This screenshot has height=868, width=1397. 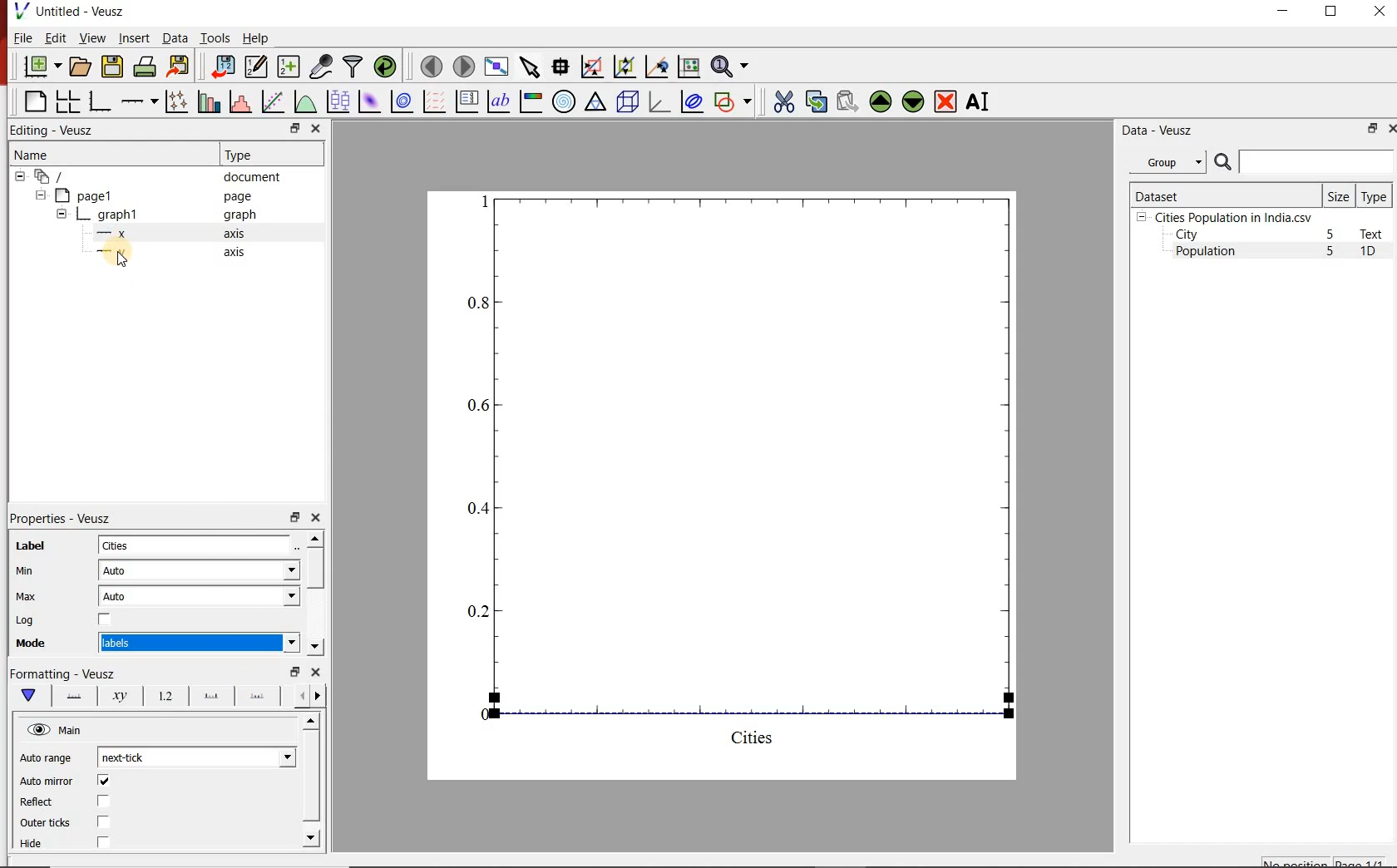 I want to click on Auto, so click(x=199, y=596).